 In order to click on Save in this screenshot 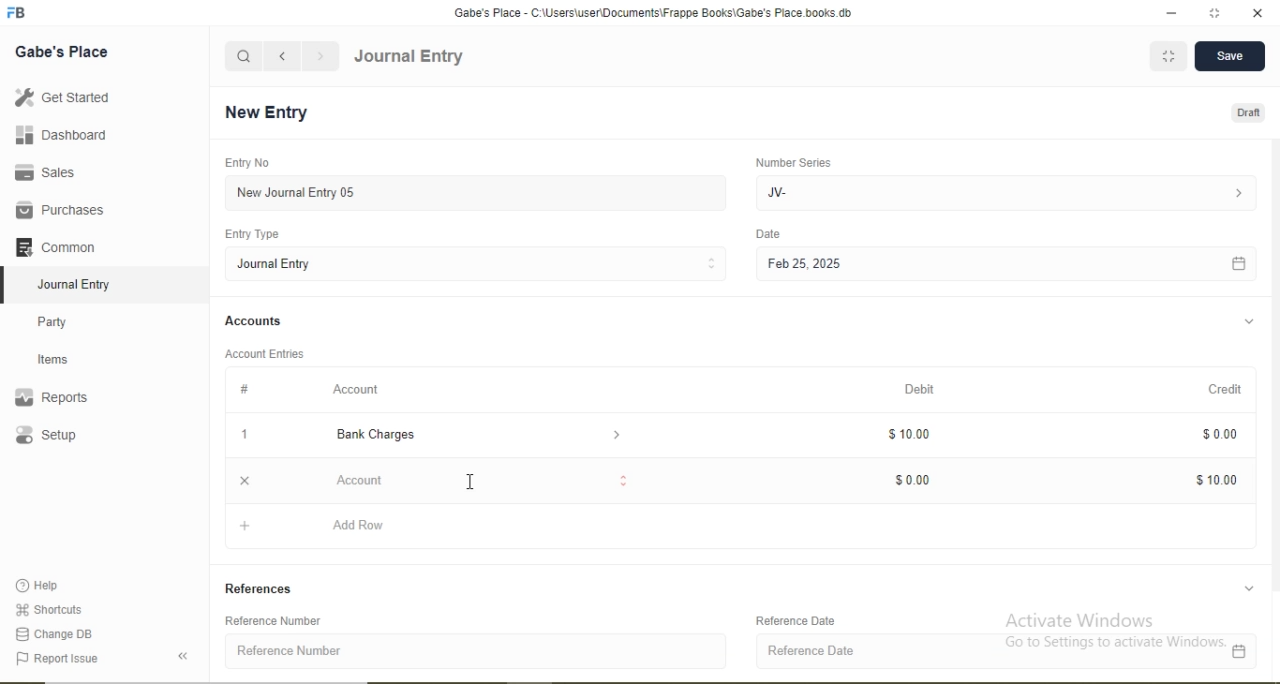, I will do `click(1228, 57)`.